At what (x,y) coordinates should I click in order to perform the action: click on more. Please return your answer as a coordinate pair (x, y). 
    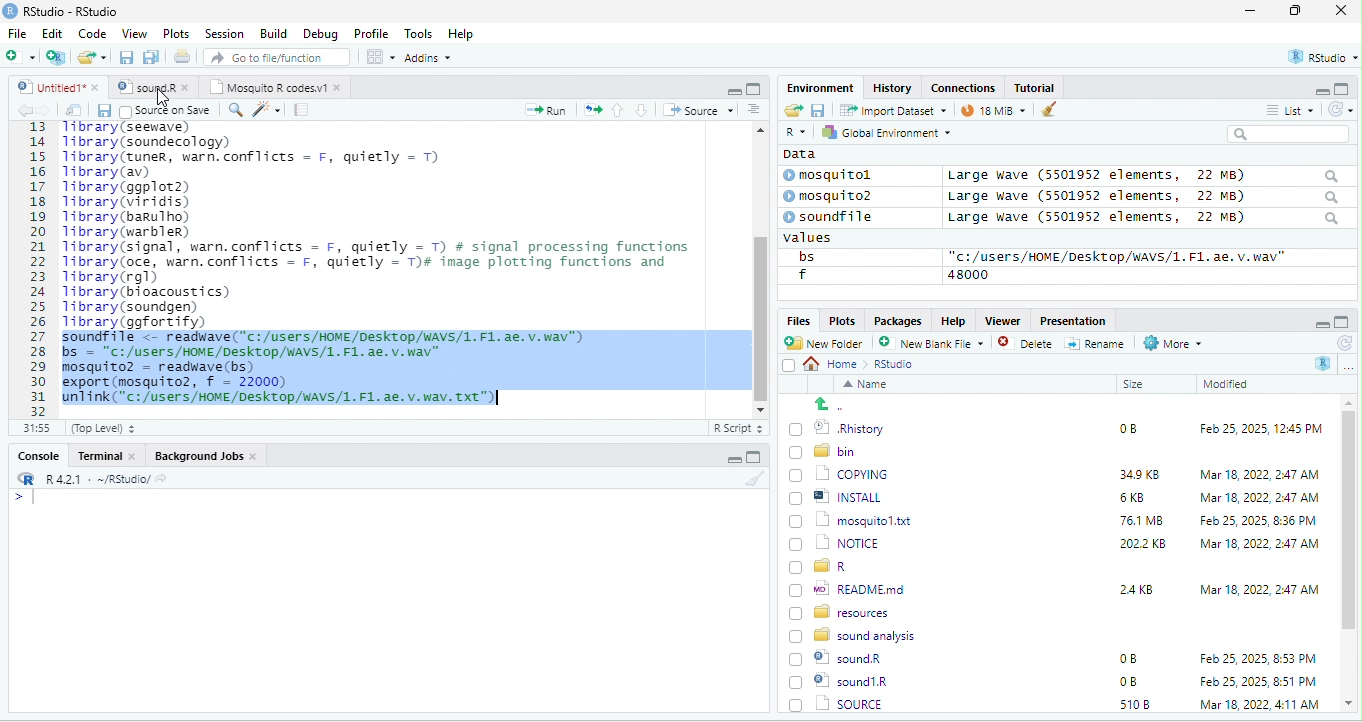
    Looking at the image, I should click on (1348, 366).